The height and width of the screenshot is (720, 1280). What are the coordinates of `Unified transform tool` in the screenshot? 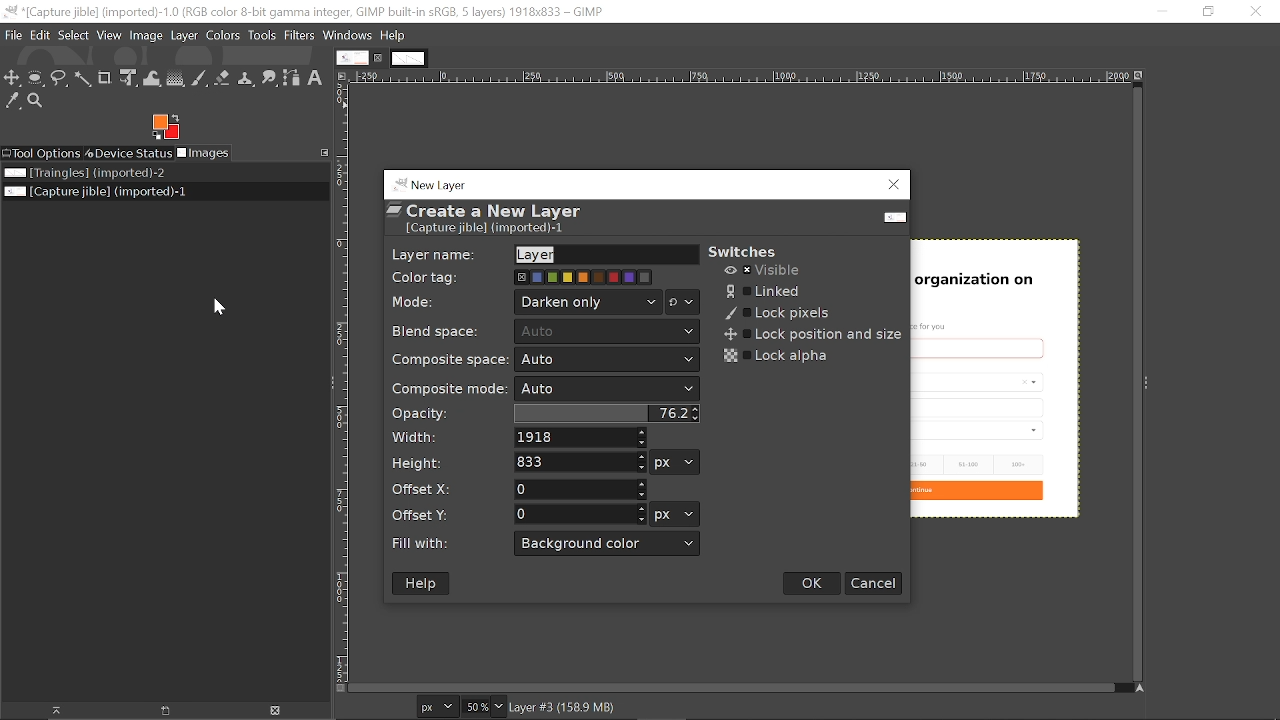 It's located at (128, 78).